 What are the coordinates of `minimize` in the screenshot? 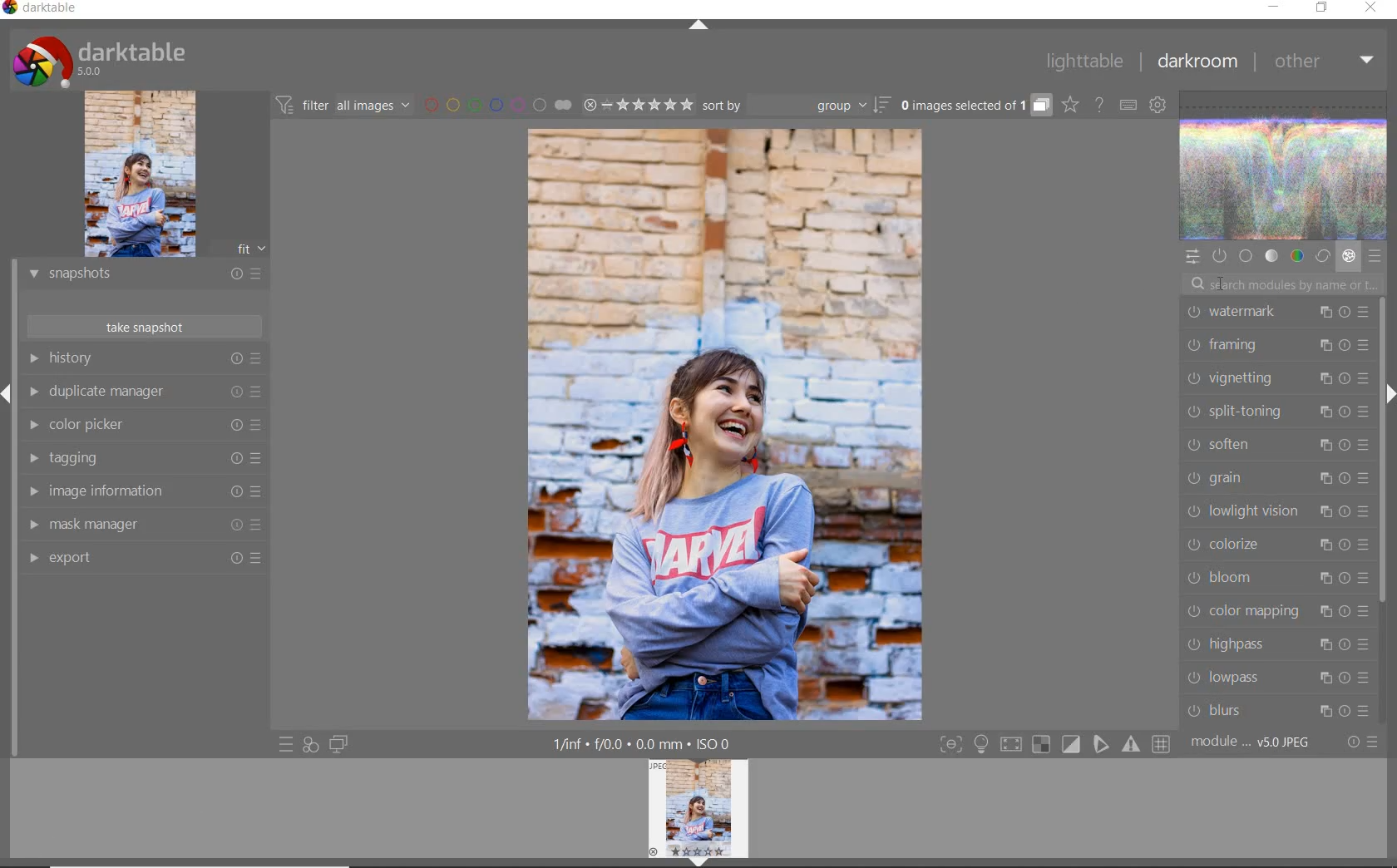 It's located at (1275, 8).